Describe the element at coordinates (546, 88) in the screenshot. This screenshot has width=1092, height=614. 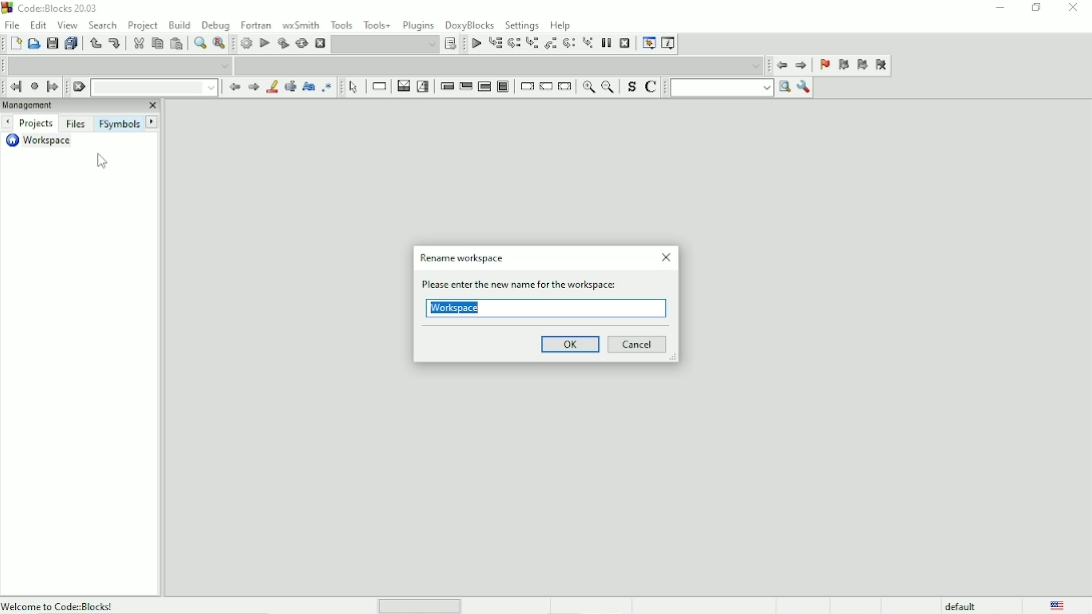
I see `Continue instruction` at that location.